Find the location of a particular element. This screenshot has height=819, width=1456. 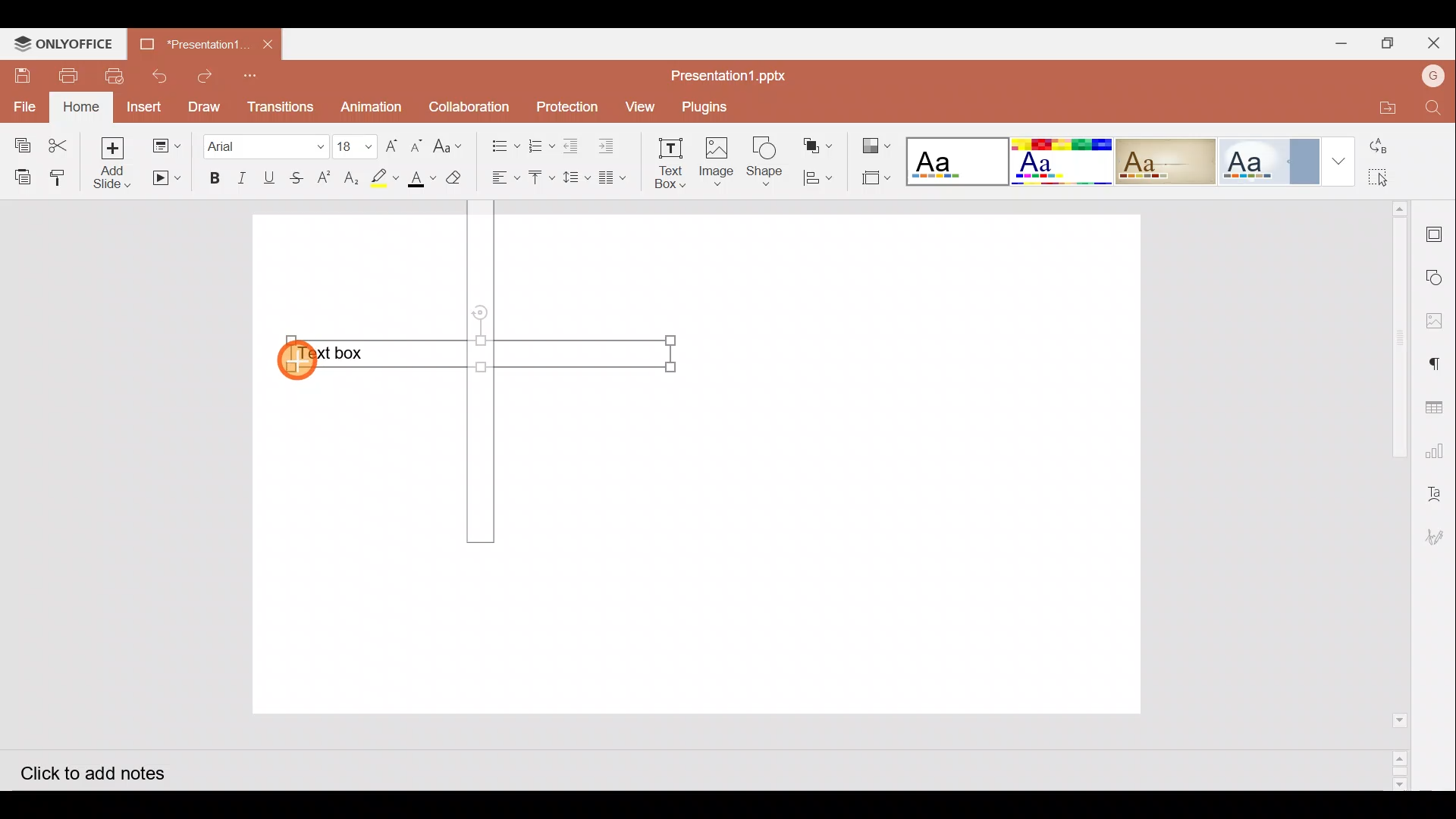

Text Art settings is located at coordinates (1437, 492).